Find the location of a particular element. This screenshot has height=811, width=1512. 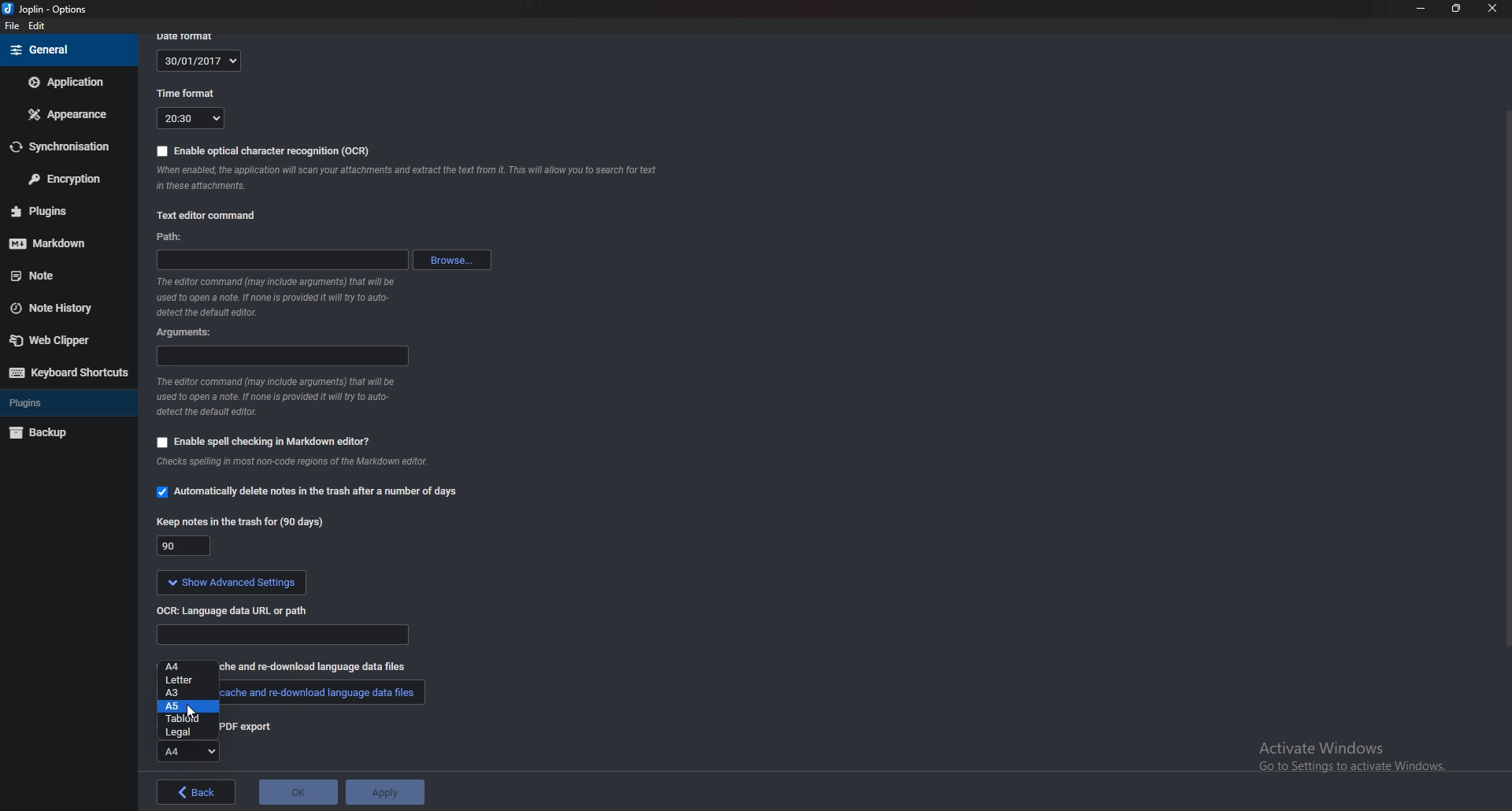

joplin is located at coordinates (51, 9).